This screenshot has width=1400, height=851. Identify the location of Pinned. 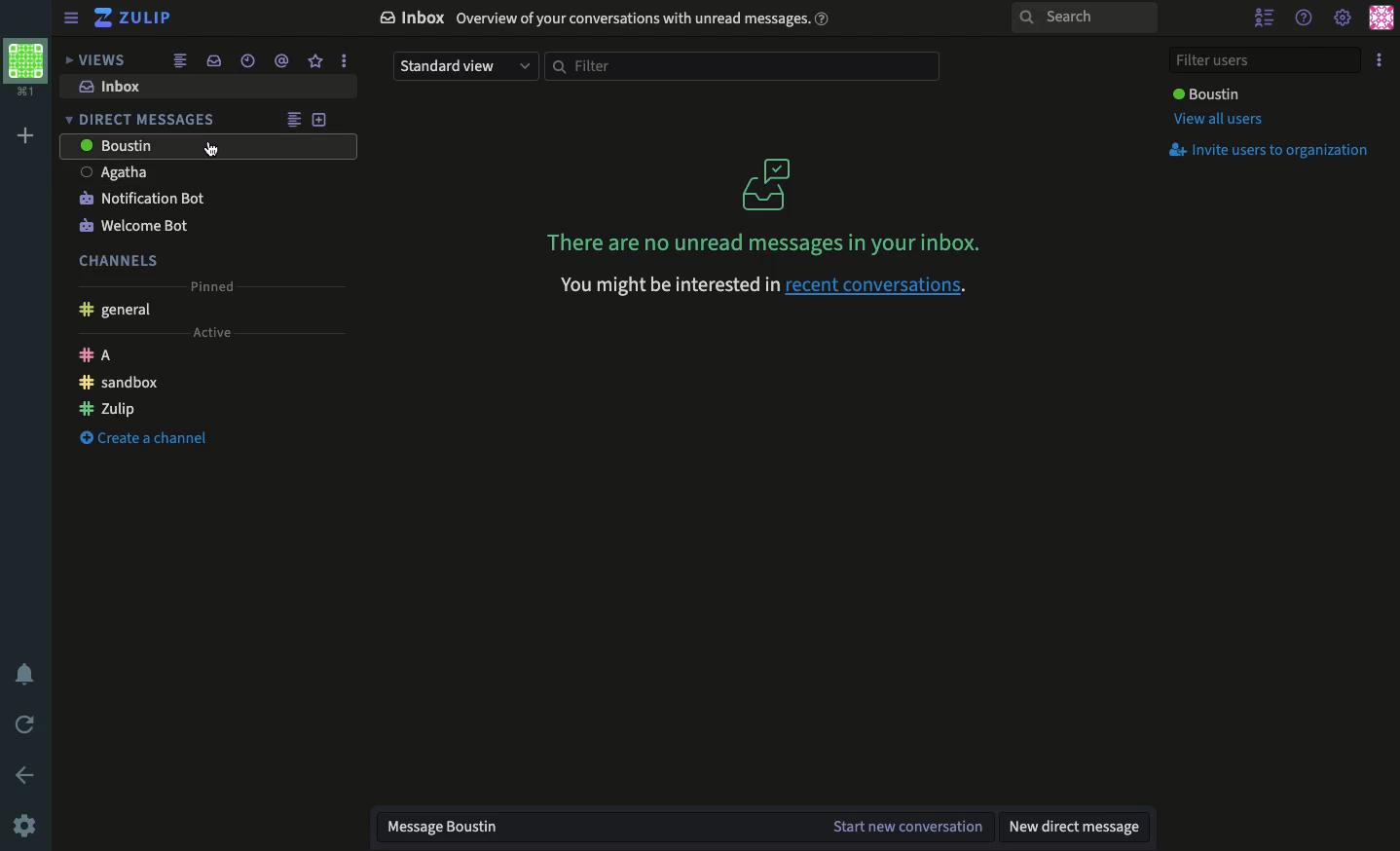
(213, 285).